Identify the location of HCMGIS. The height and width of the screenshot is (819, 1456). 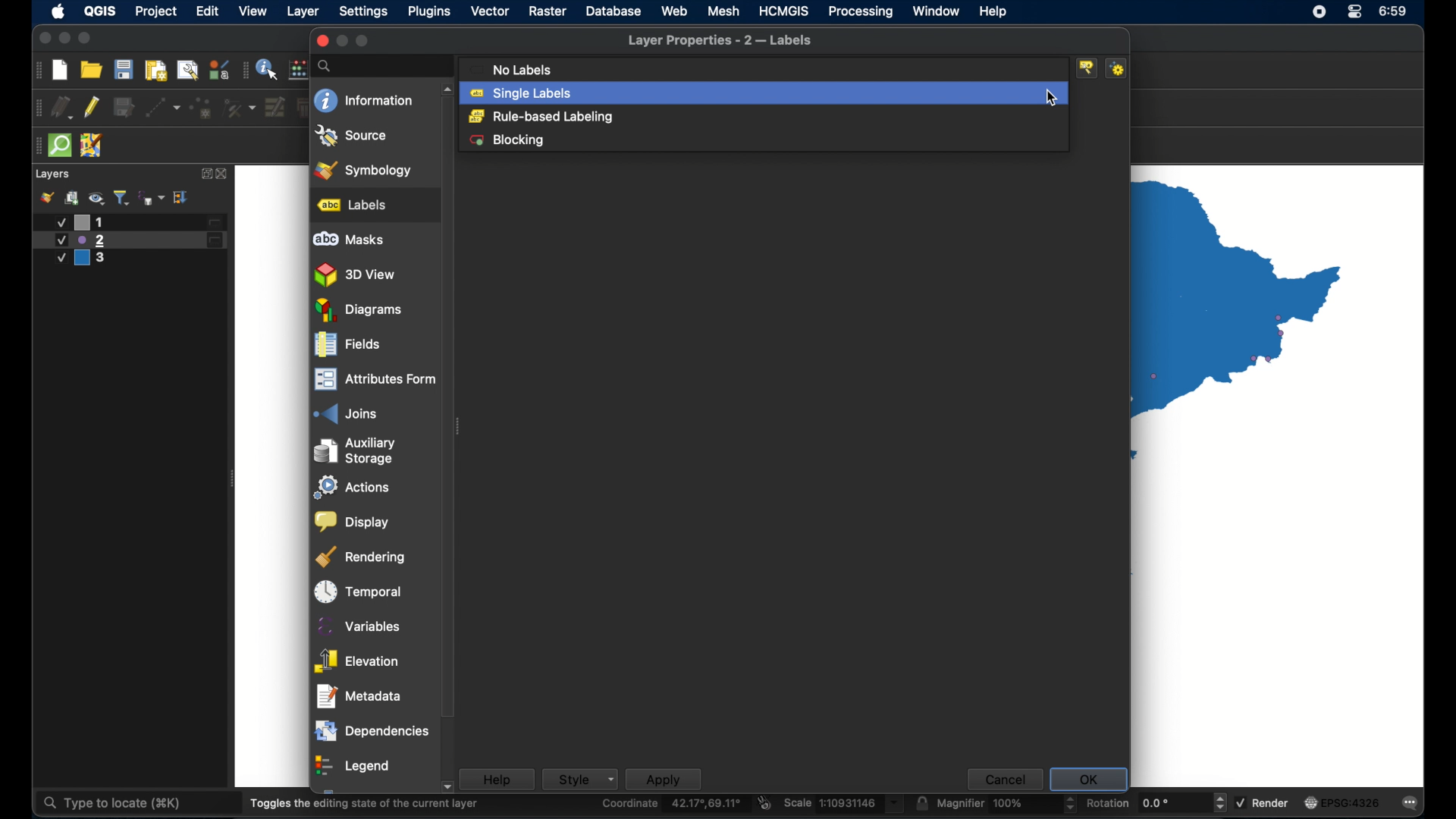
(784, 11).